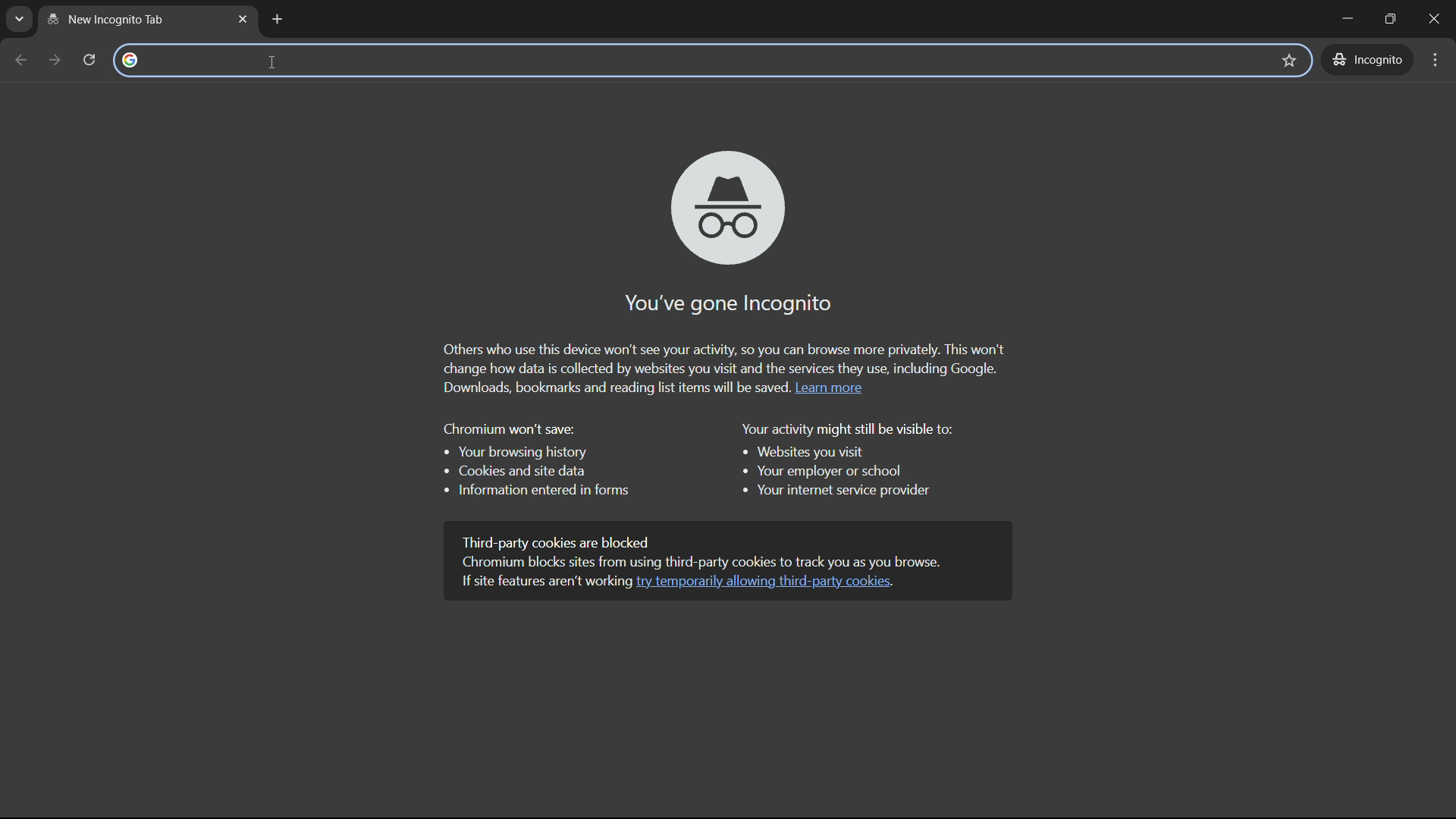 The image size is (1456, 819). What do you see at coordinates (768, 582) in the screenshot?
I see `try temporarily allowing third-party cookies.` at bounding box center [768, 582].